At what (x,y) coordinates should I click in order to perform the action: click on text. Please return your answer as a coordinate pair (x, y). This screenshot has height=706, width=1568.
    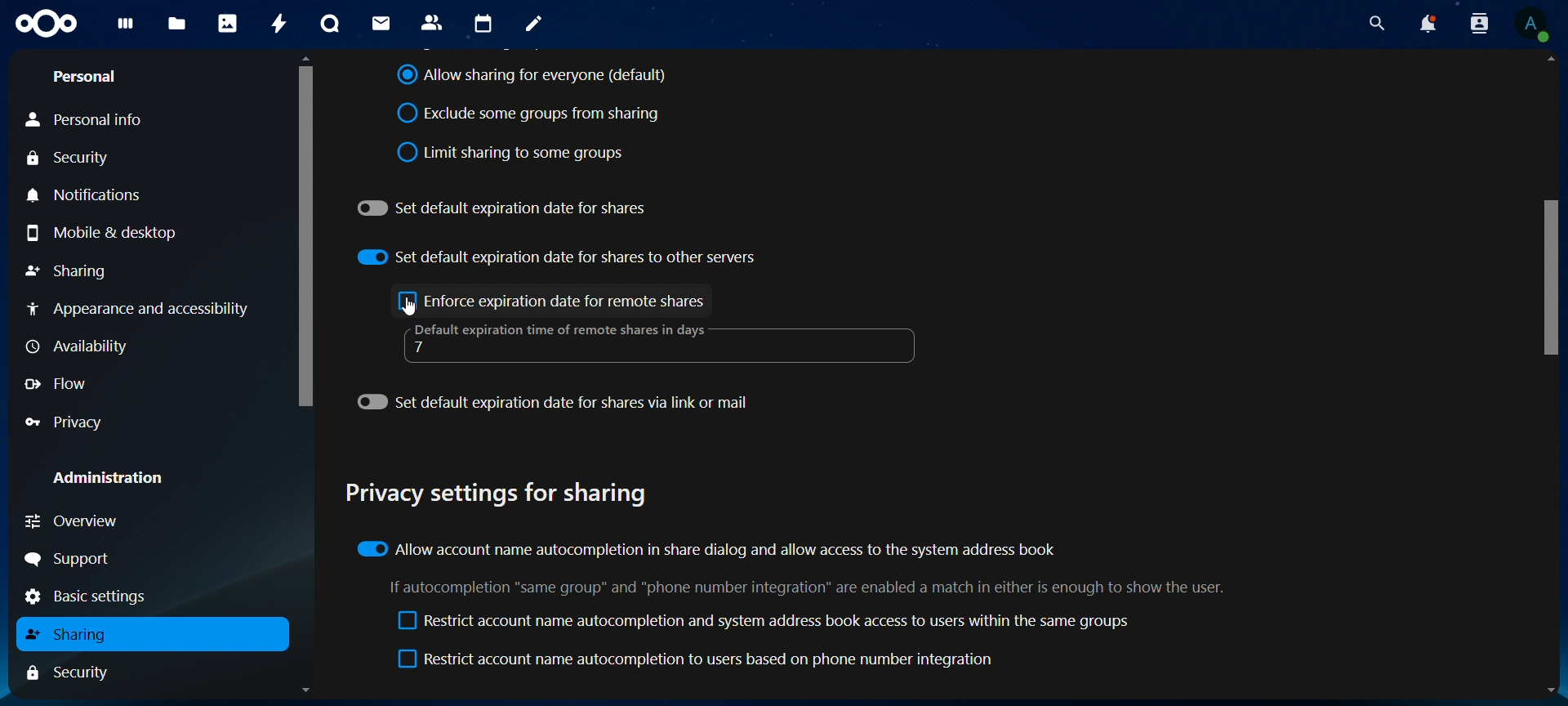
    Looking at the image, I should click on (806, 589).